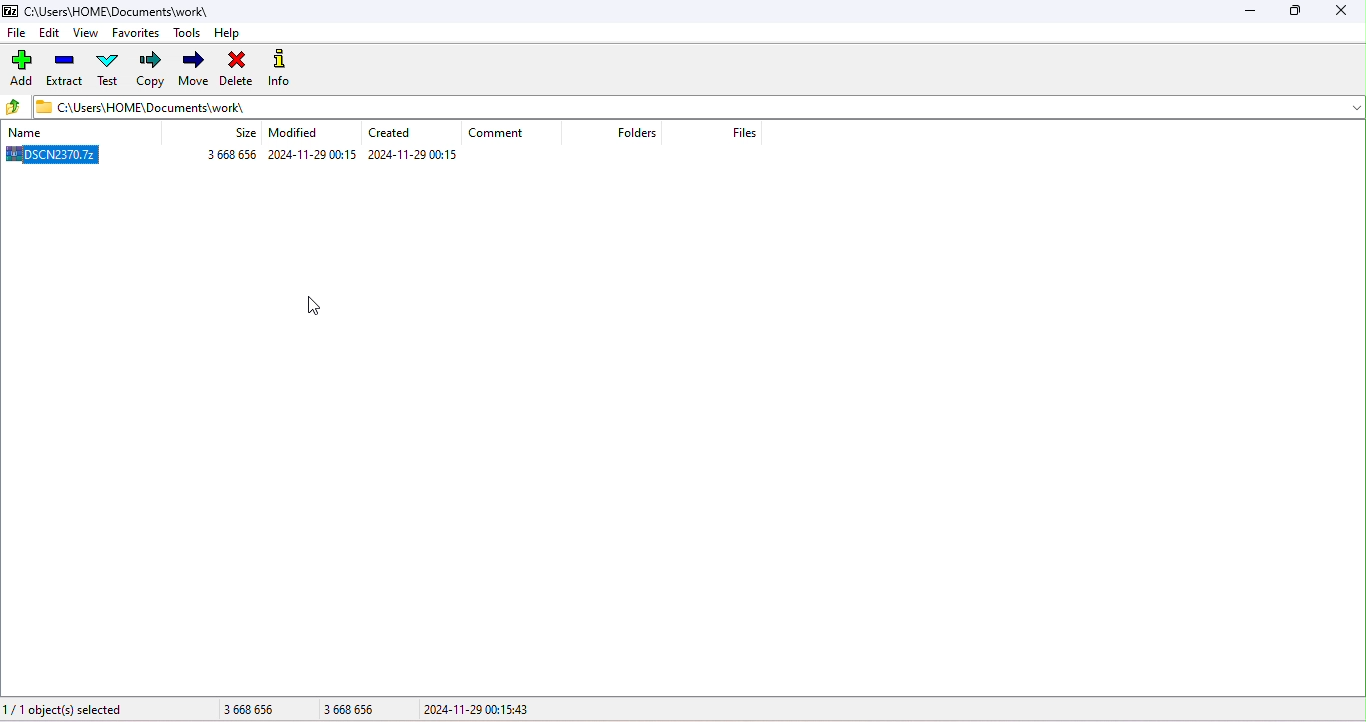 The image size is (1366, 722). What do you see at coordinates (17, 32) in the screenshot?
I see `file` at bounding box center [17, 32].